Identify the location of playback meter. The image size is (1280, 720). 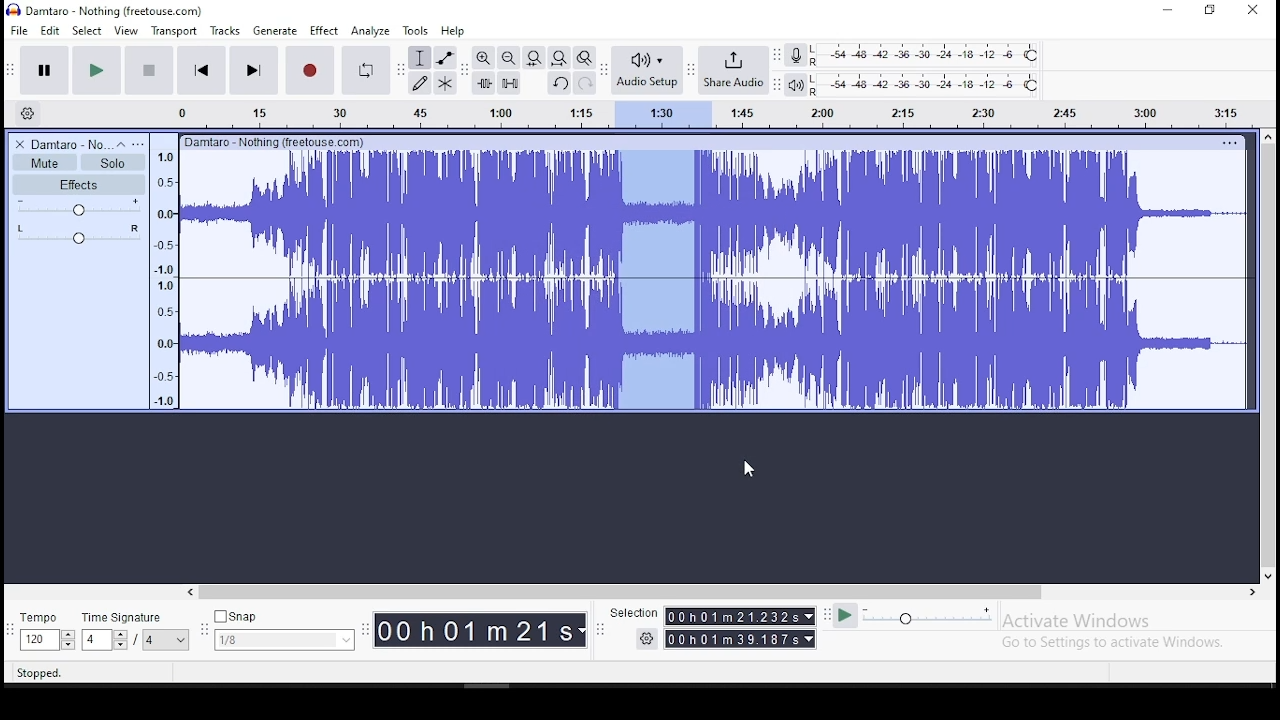
(797, 85).